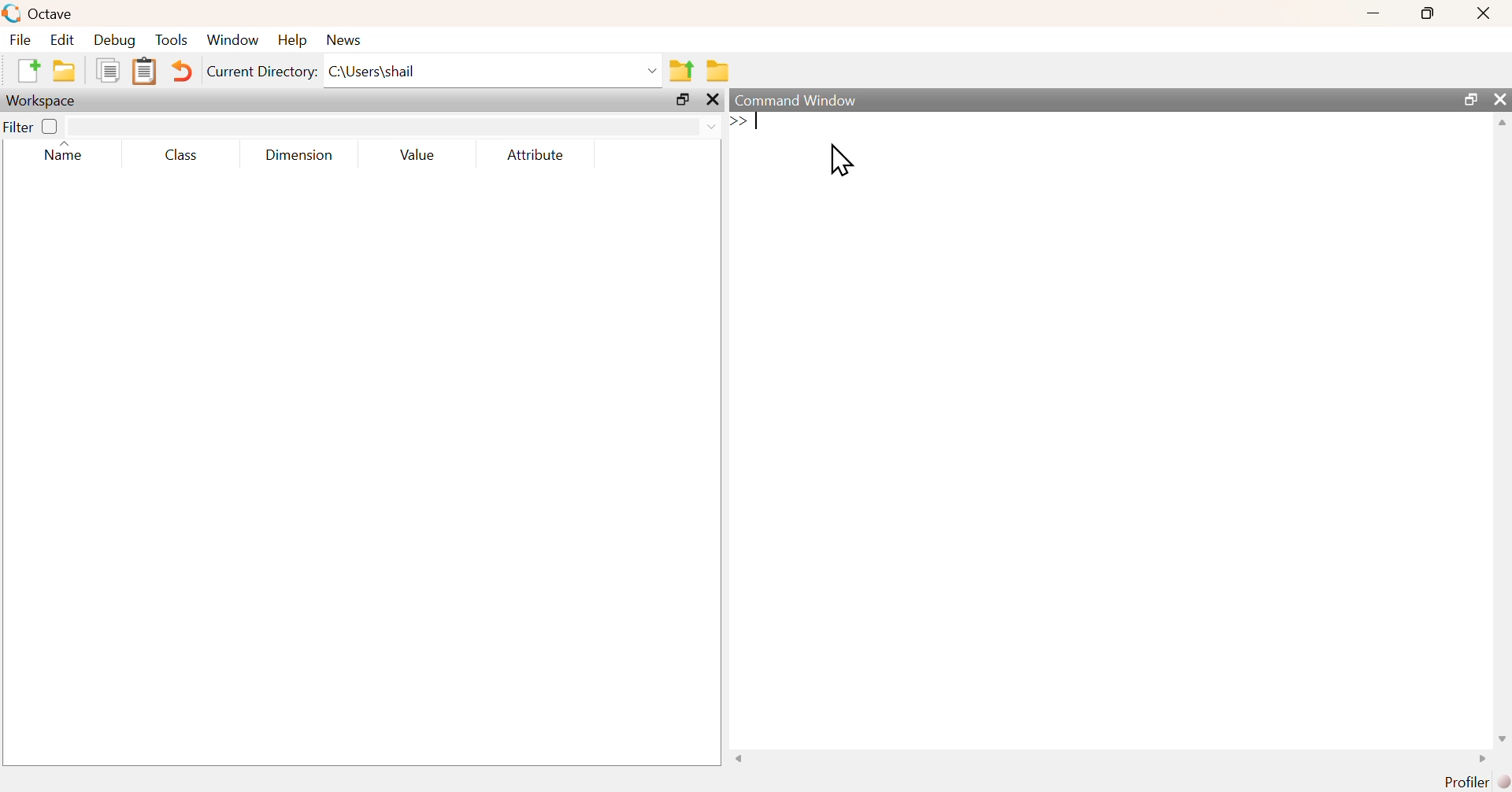 The width and height of the screenshot is (1512, 792). I want to click on Maximize, so click(1429, 13).